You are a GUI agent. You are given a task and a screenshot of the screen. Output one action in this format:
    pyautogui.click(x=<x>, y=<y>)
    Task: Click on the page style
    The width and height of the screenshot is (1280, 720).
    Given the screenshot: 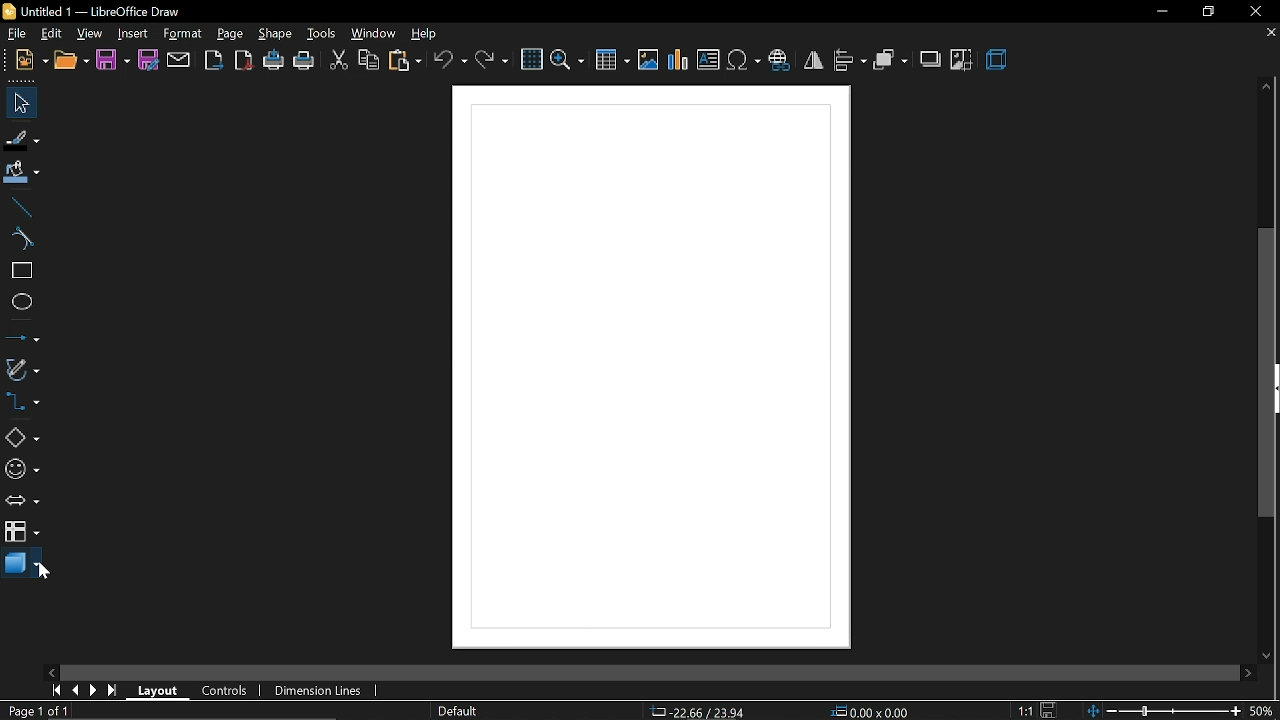 What is the action you would take?
    pyautogui.click(x=458, y=711)
    